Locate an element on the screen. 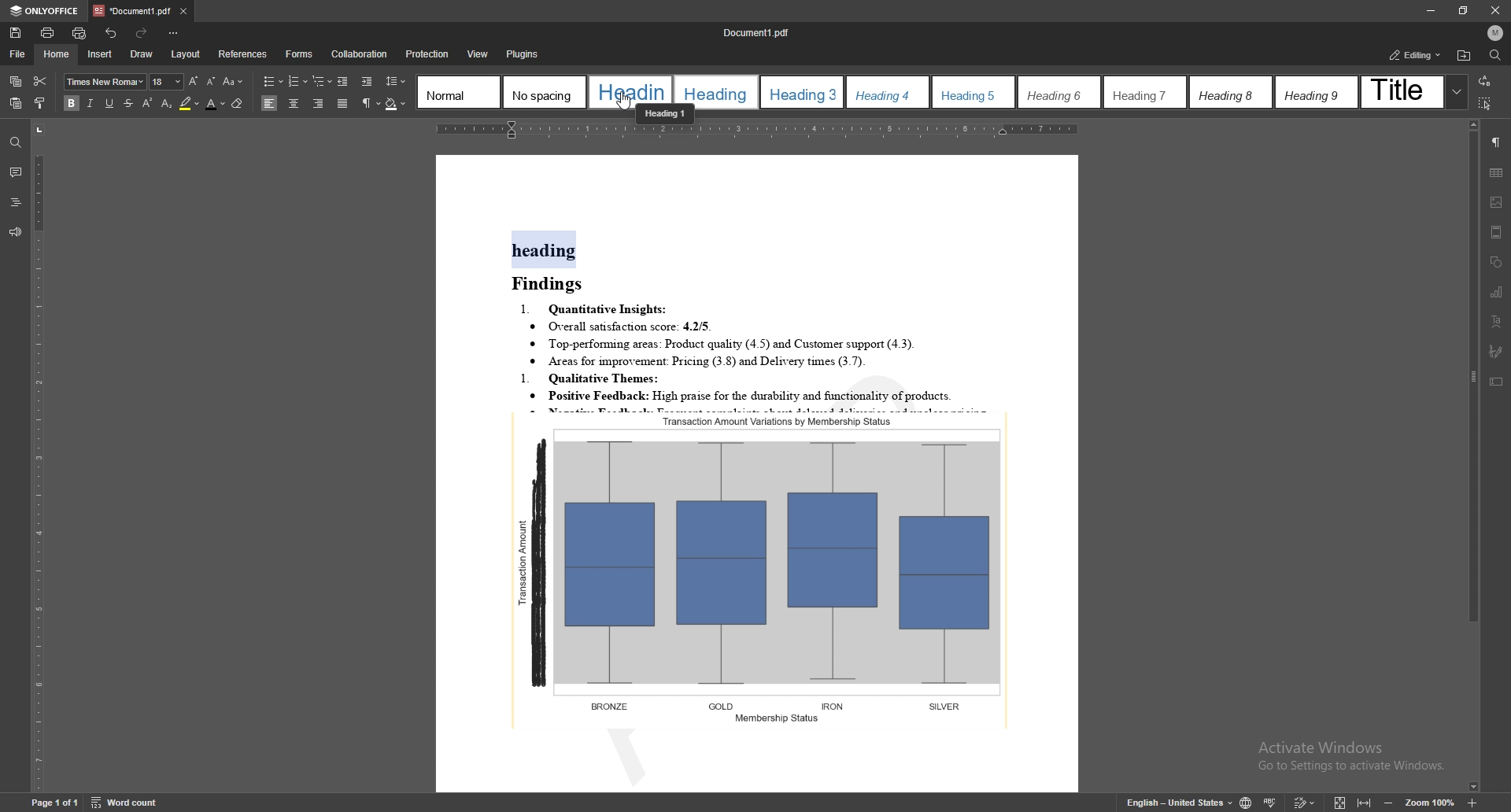 The image size is (1511, 812). quick print is located at coordinates (79, 34).